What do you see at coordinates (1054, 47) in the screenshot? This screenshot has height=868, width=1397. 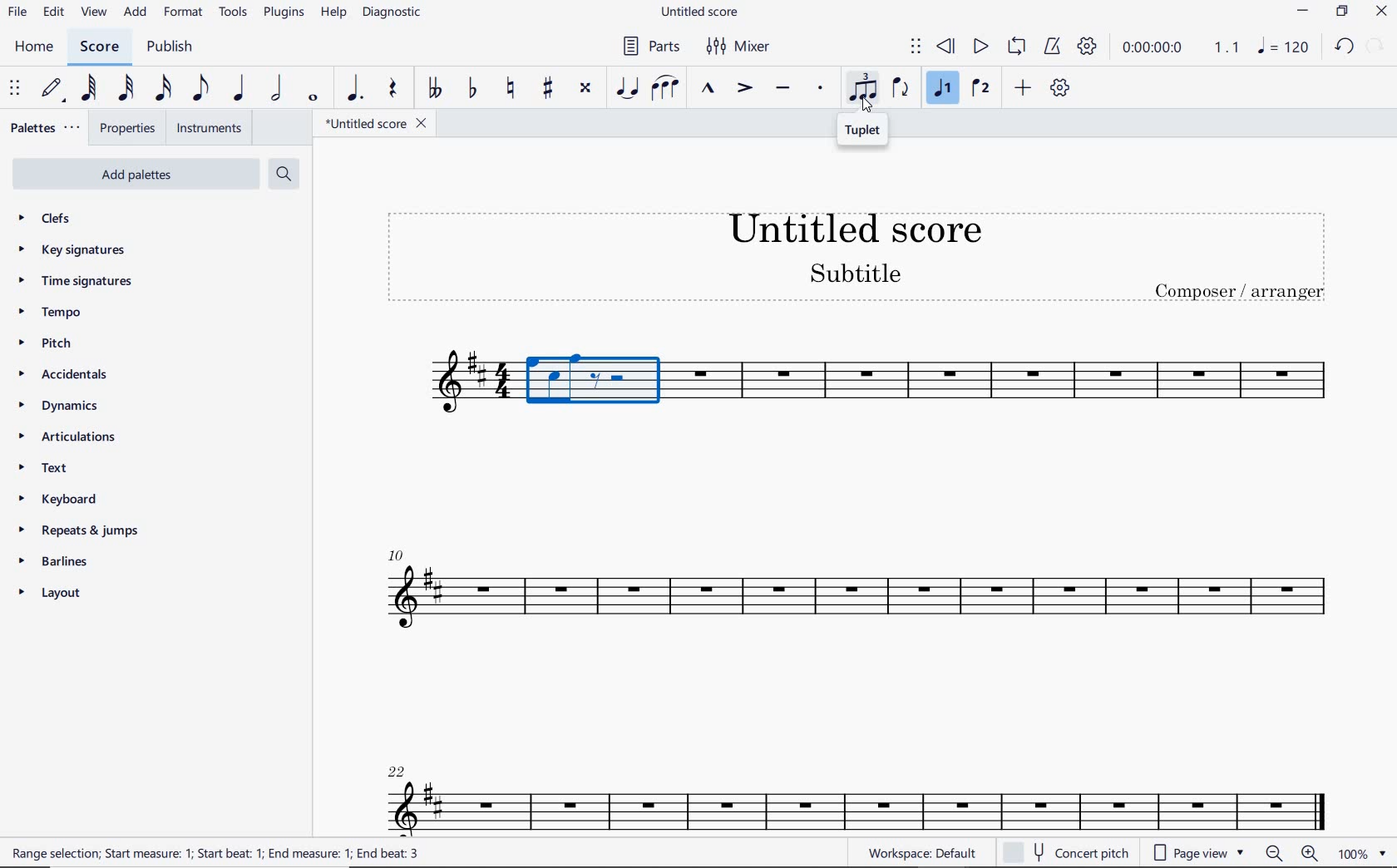 I see `METRONOME` at bounding box center [1054, 47].